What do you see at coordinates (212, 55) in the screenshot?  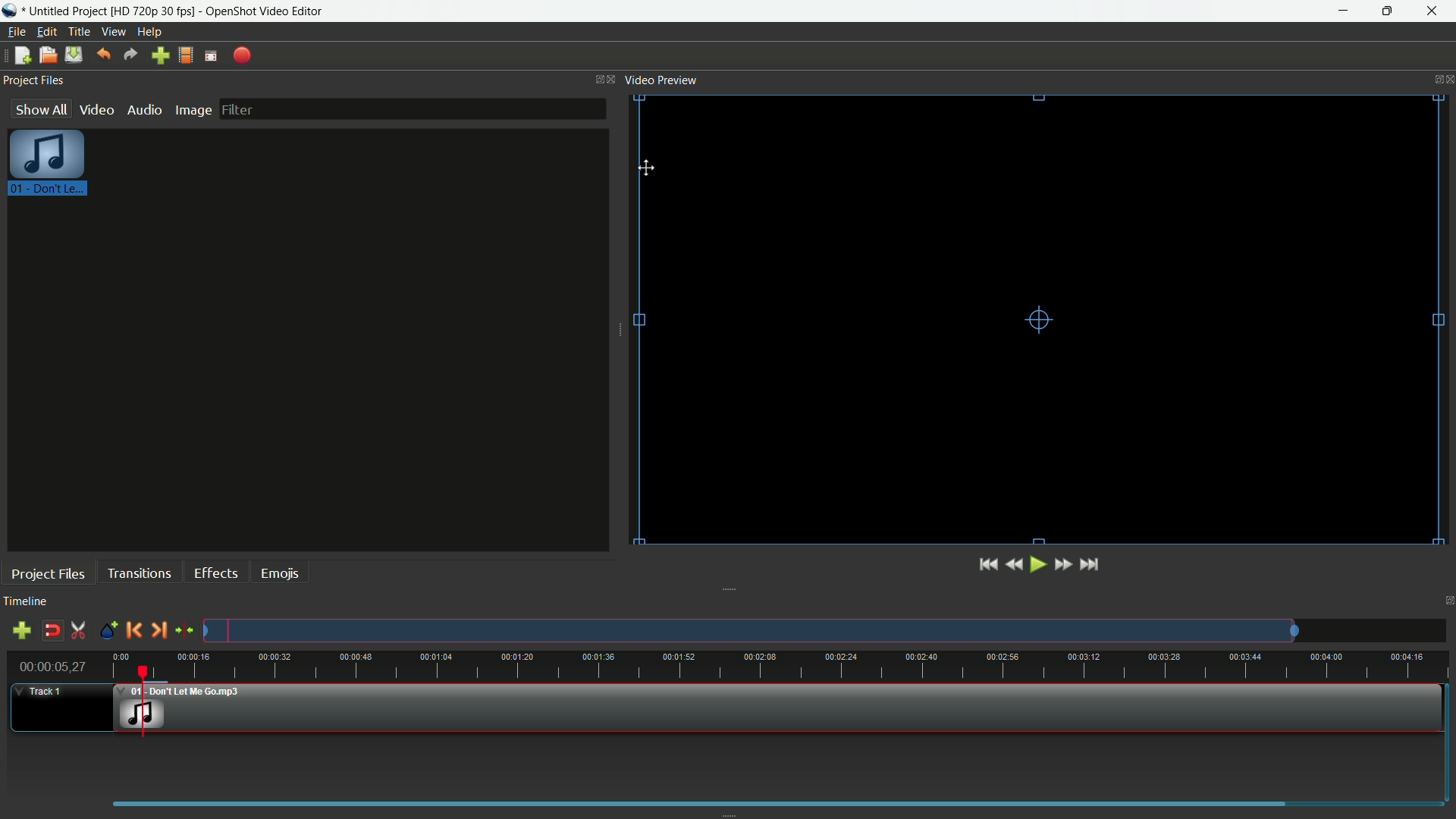 I see `full screen` at bounding box center [212, 55].